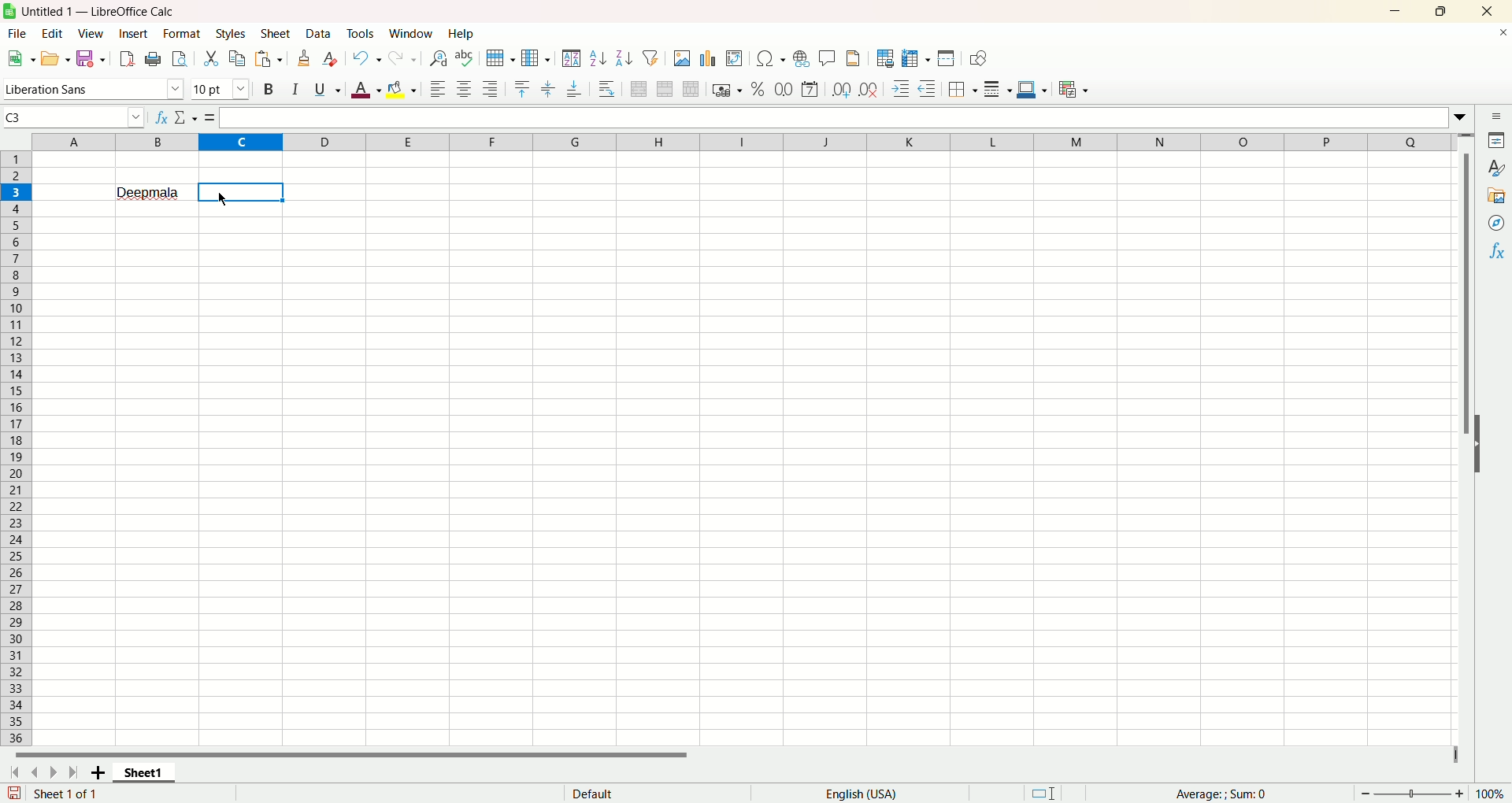 This screenshot has width=1512, height=803. I want to click on Merge and center, so click(639, 88).